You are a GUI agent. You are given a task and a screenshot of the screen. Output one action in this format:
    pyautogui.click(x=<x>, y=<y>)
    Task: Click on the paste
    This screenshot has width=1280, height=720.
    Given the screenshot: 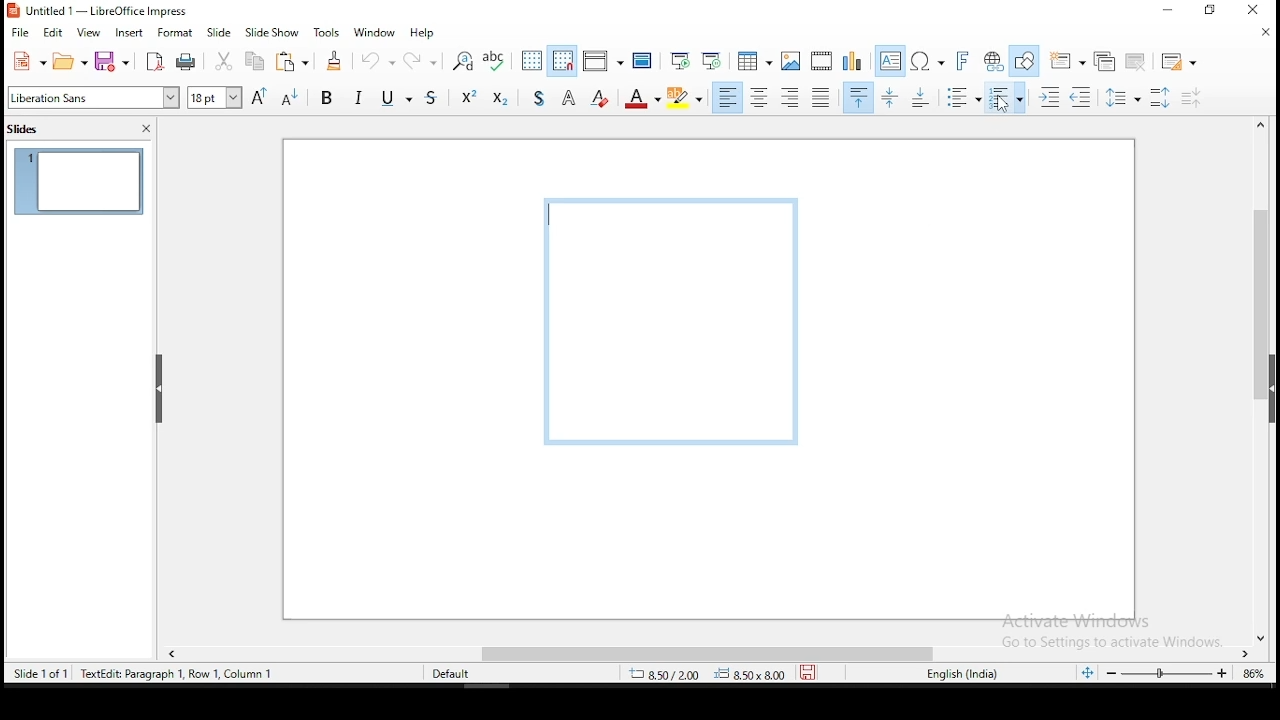 What is the action you would take?
    pyautogui.click(x=294, y=63)
    